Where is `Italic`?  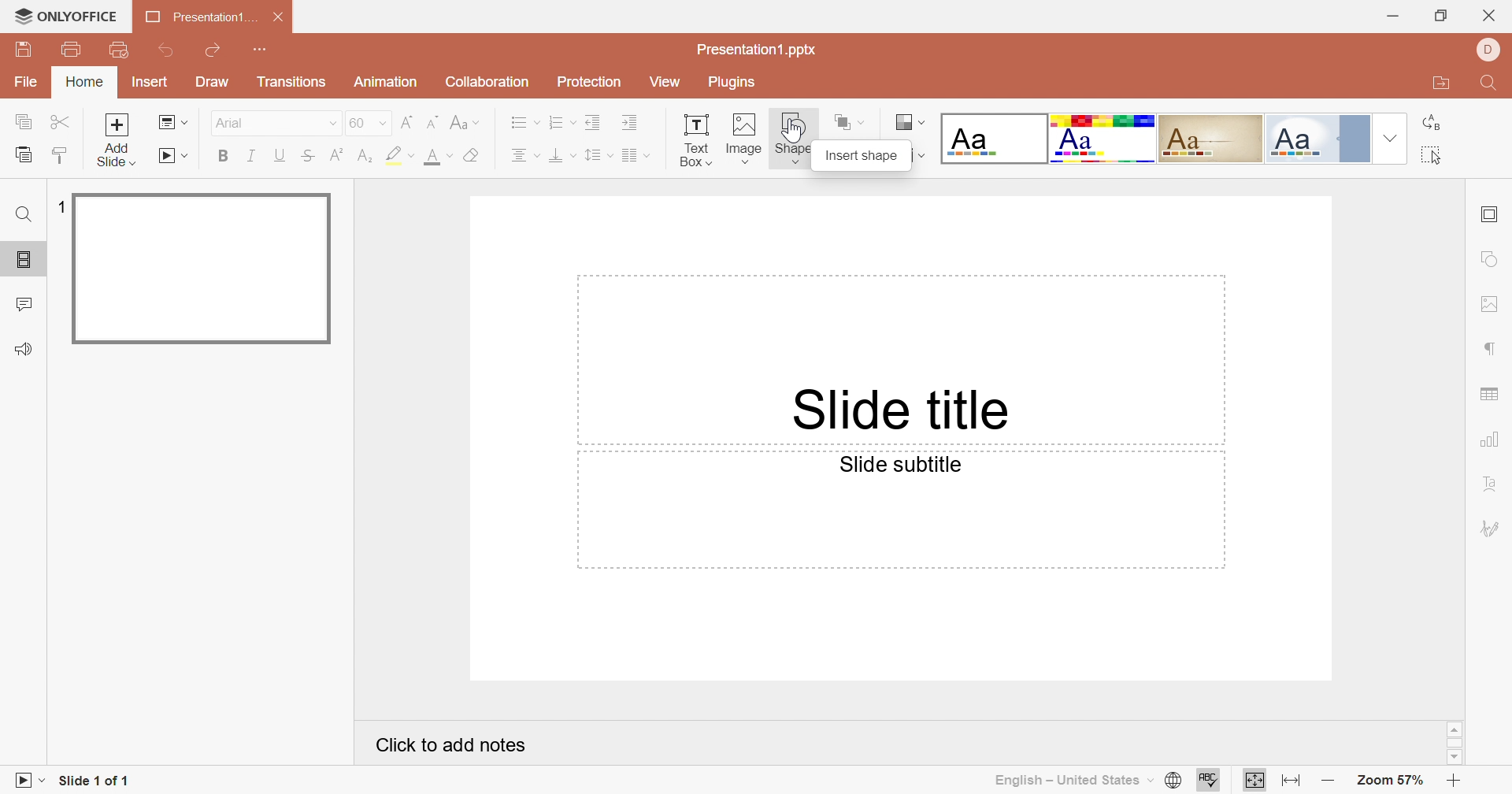 Italic is located at coordinates (250, 155).